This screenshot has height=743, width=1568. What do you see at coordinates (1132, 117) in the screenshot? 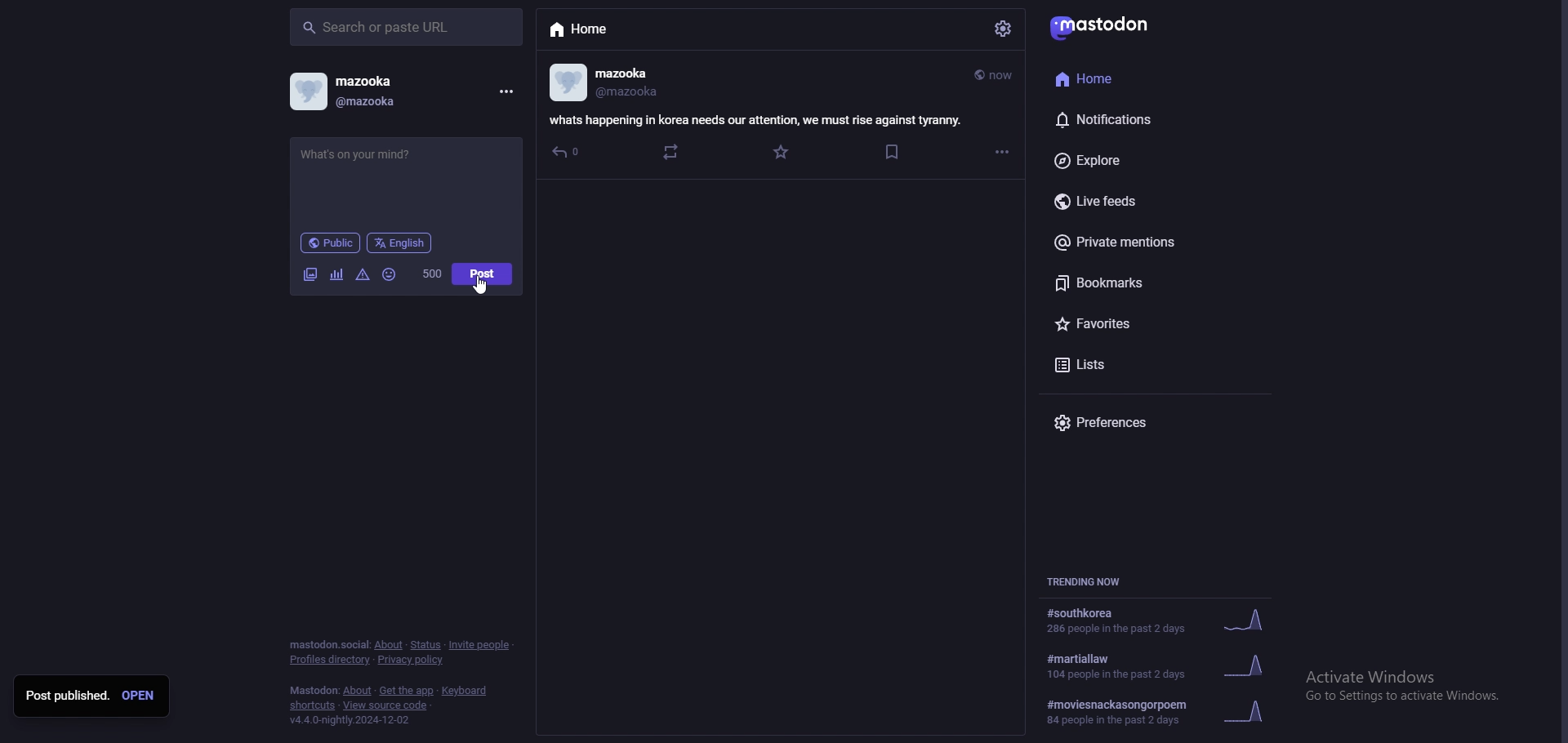
I see `notifications` at bounding box center [1132, 117].